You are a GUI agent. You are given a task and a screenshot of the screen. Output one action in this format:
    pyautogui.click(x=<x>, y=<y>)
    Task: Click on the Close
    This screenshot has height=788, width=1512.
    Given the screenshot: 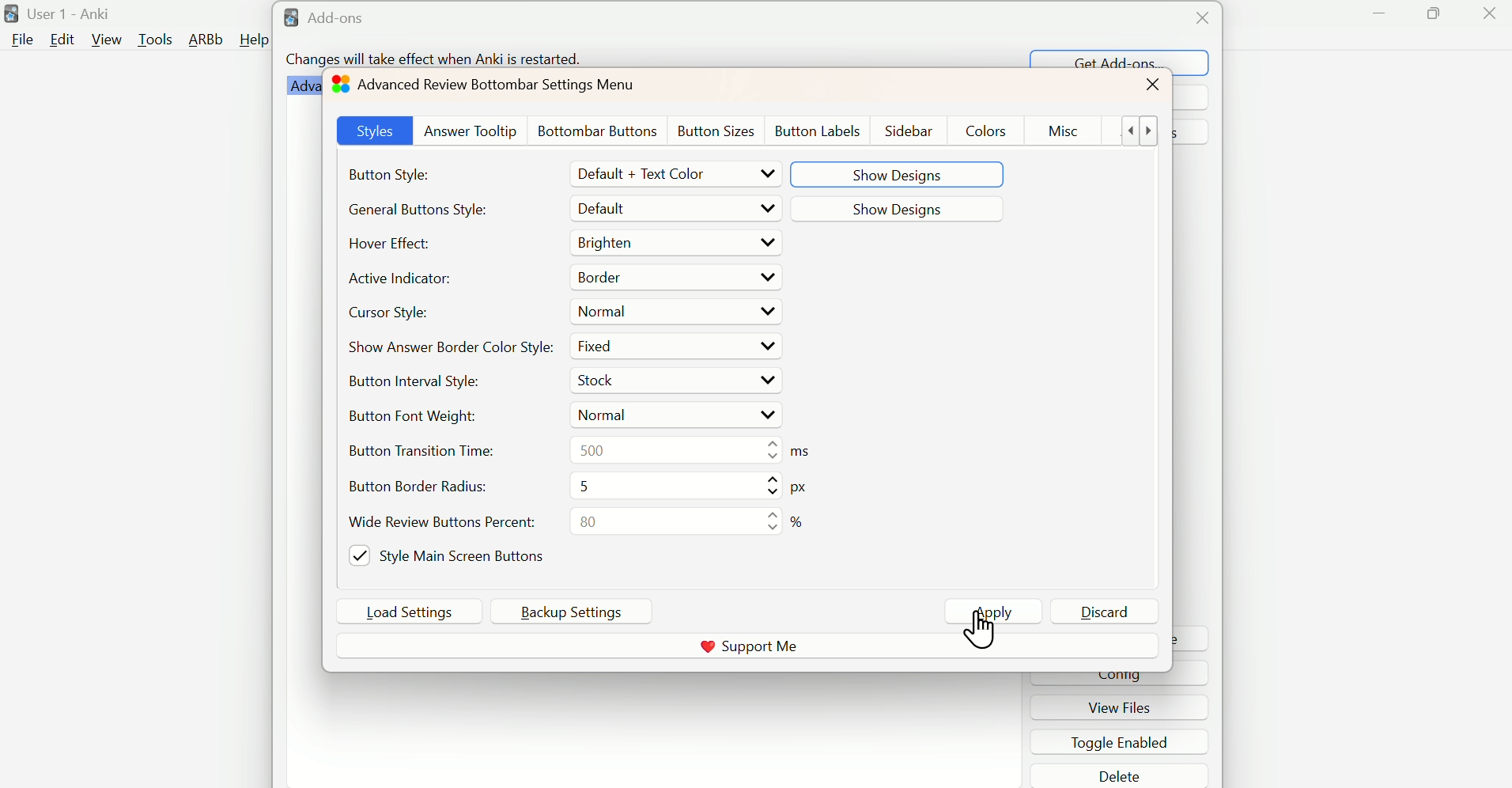 What is the action you would take?
    pyautogui.click(x=1495, y=13)
    